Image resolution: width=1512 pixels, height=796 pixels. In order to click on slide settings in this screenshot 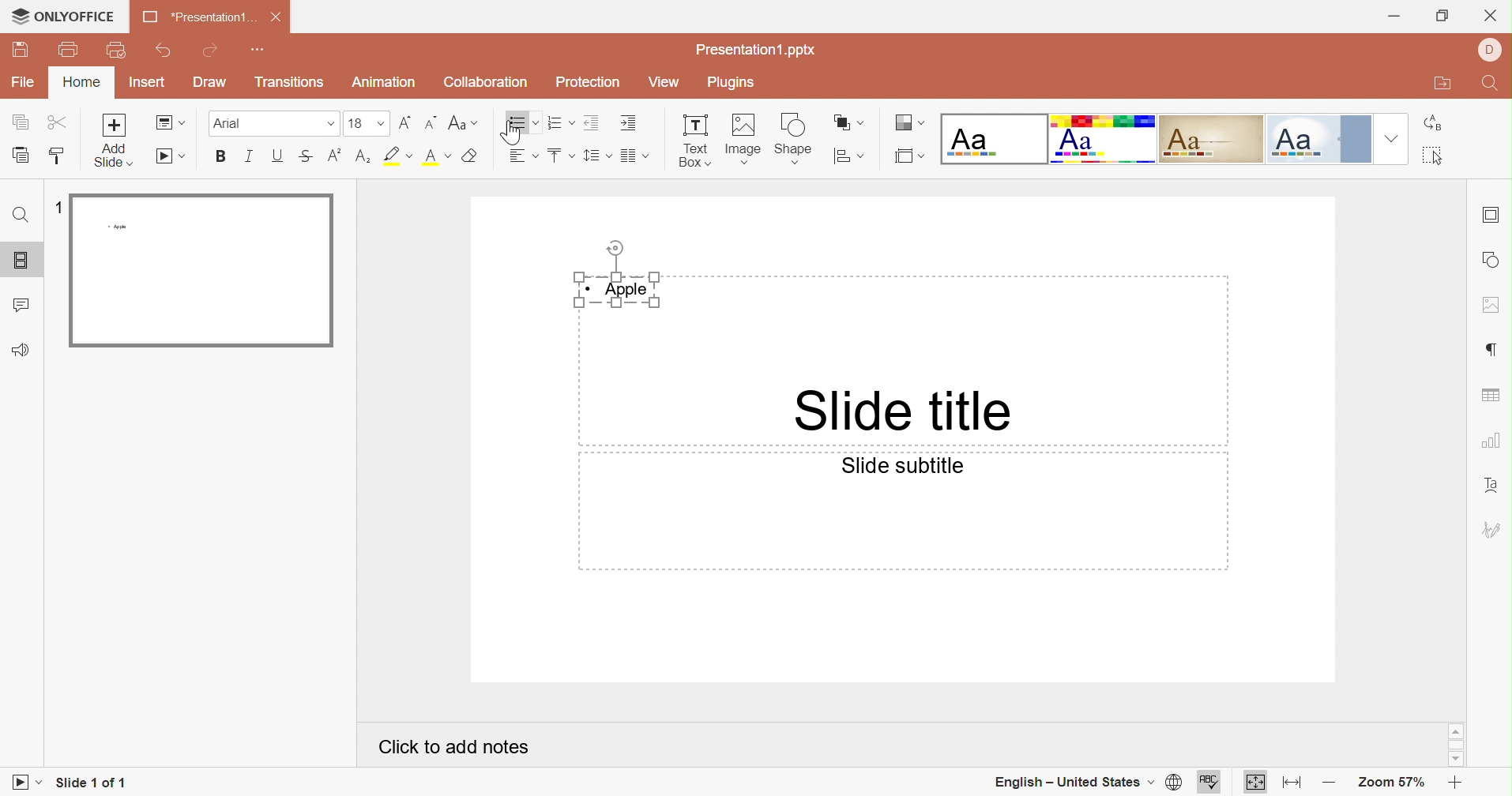, I will do `click(1493, 213)`.